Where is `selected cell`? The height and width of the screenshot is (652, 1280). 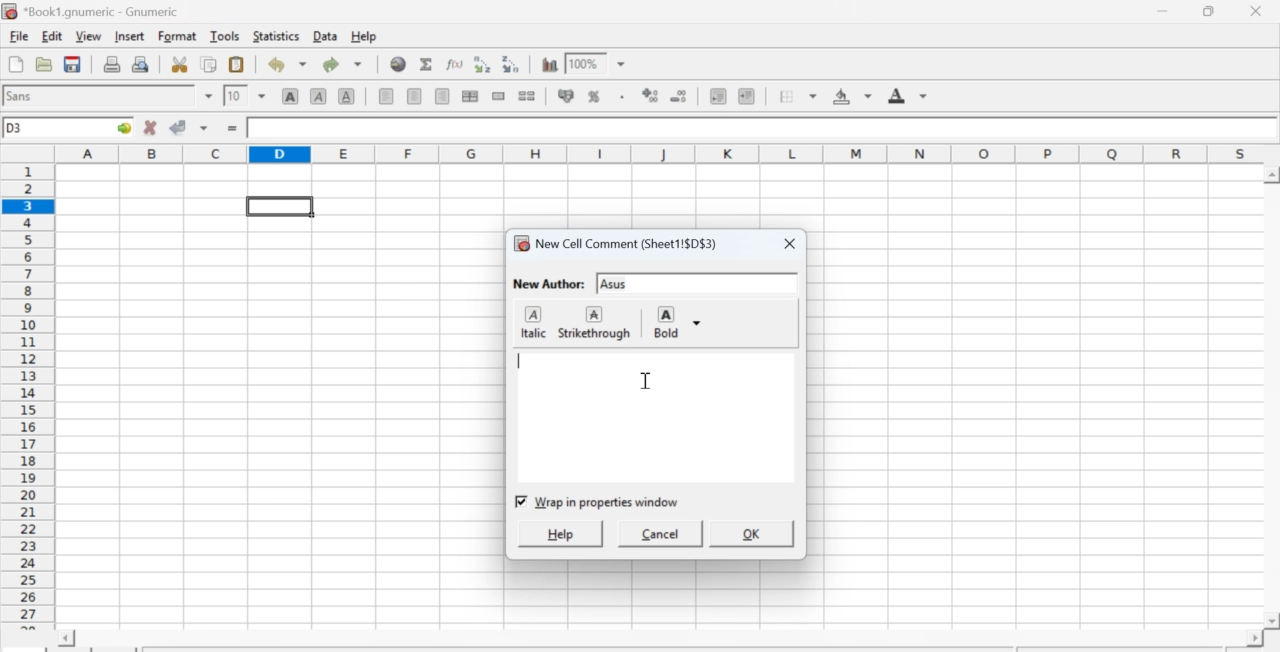
selected cell is located at coordinates (279, 205).